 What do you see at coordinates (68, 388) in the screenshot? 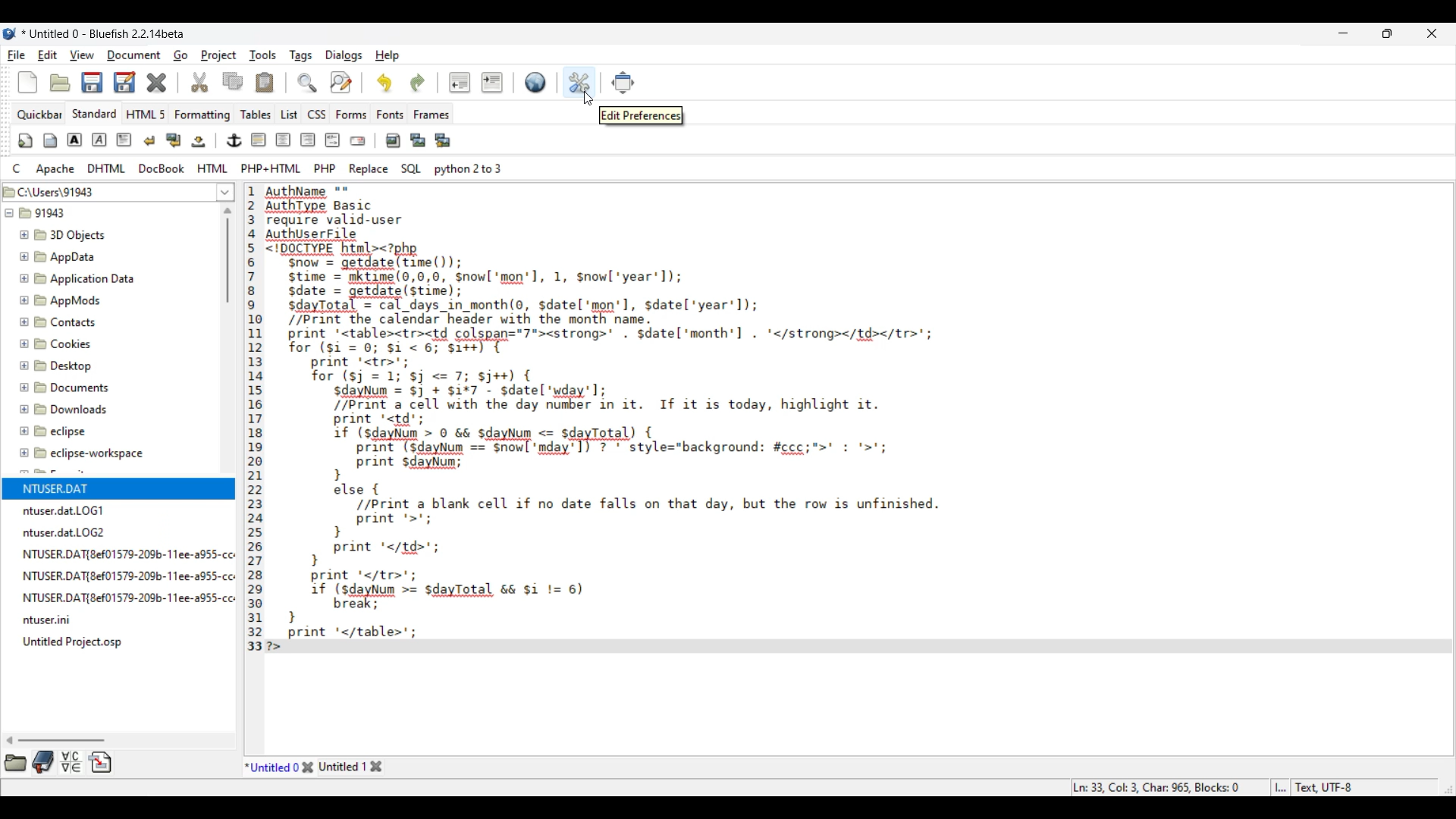
I see `Documents` at bounding box center [68, 388].